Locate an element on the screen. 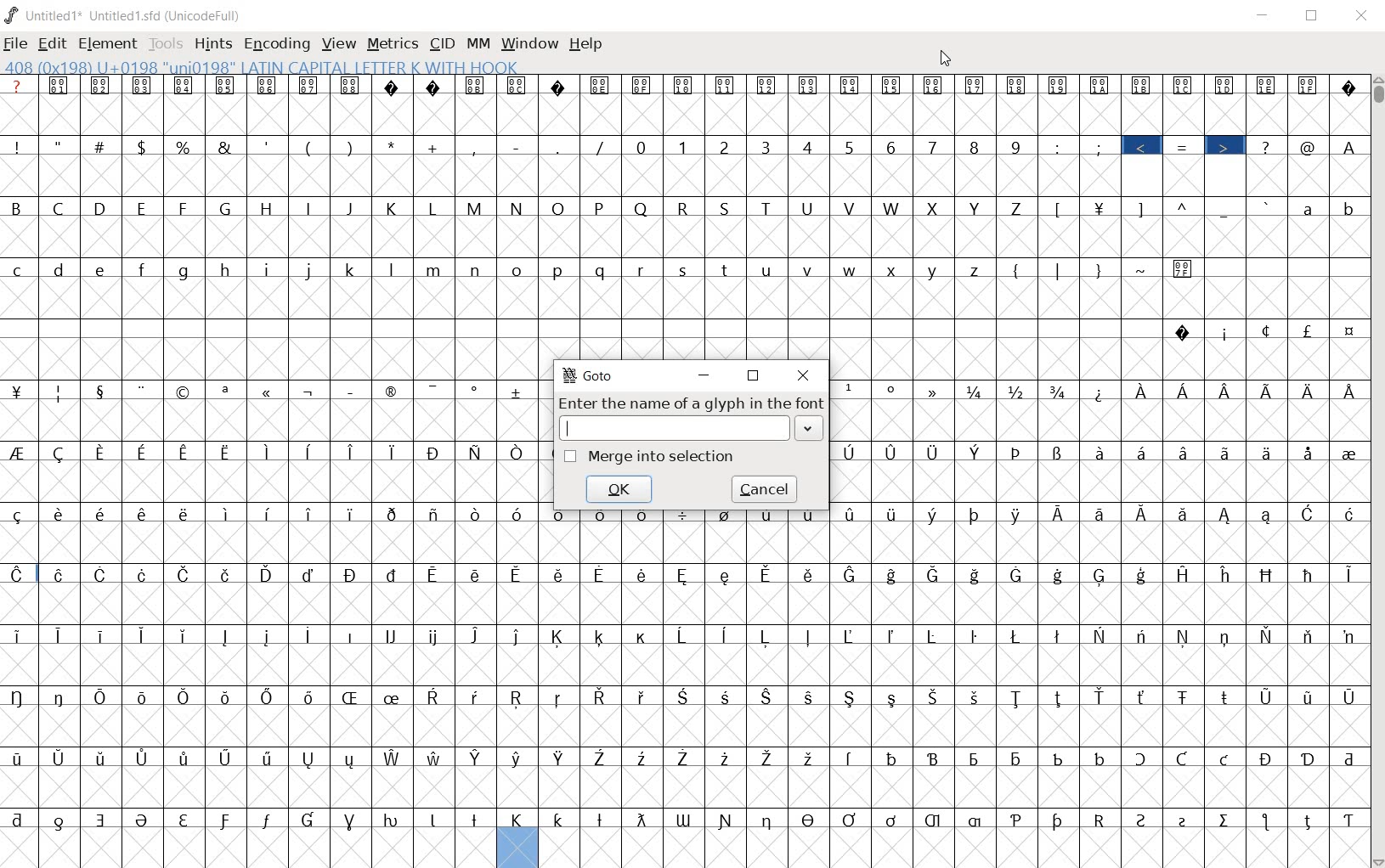  restore down is located at coordinates (757, 378).